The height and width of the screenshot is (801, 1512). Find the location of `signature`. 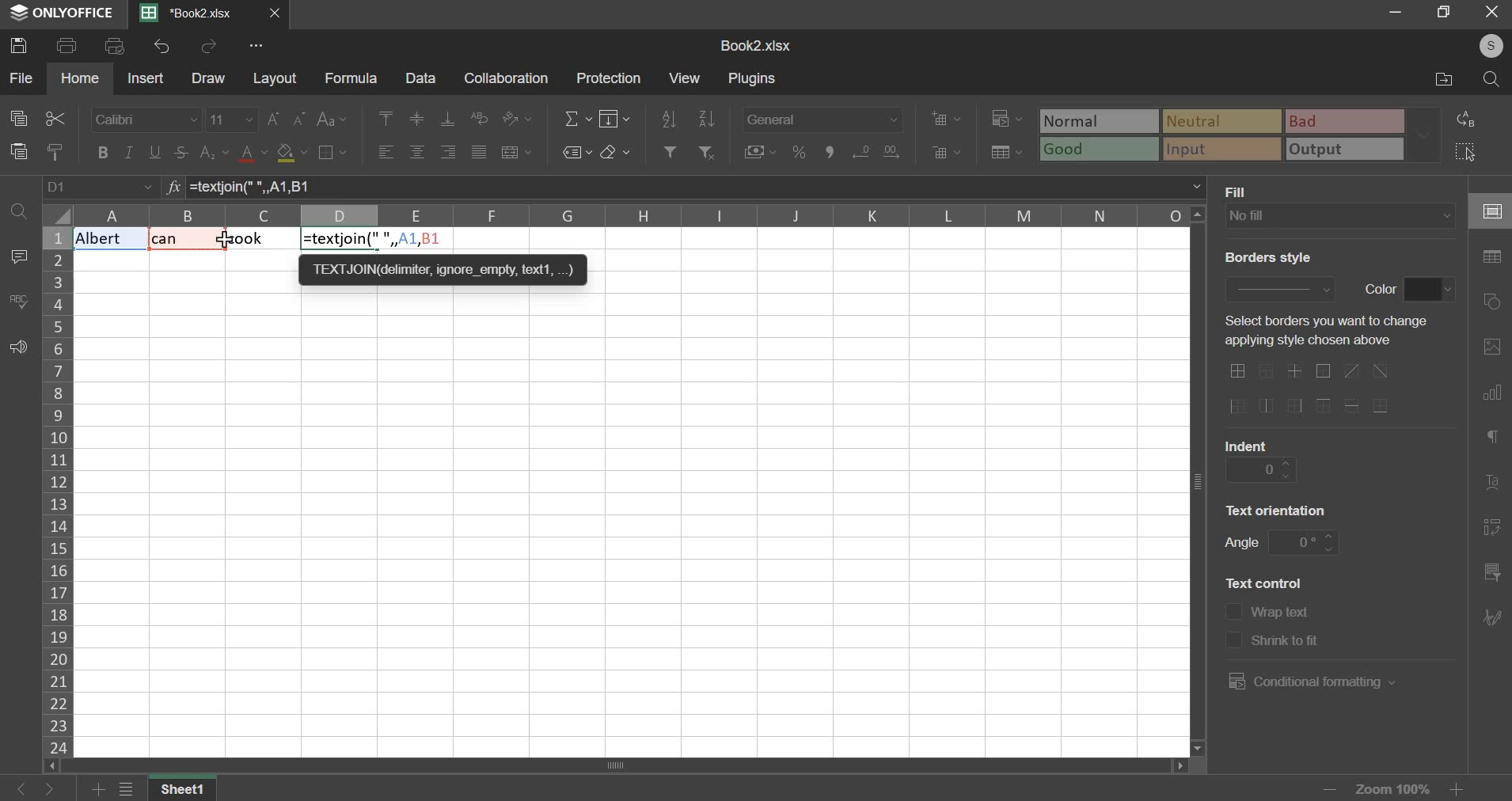

signature is located at coordinates (1491, 617).